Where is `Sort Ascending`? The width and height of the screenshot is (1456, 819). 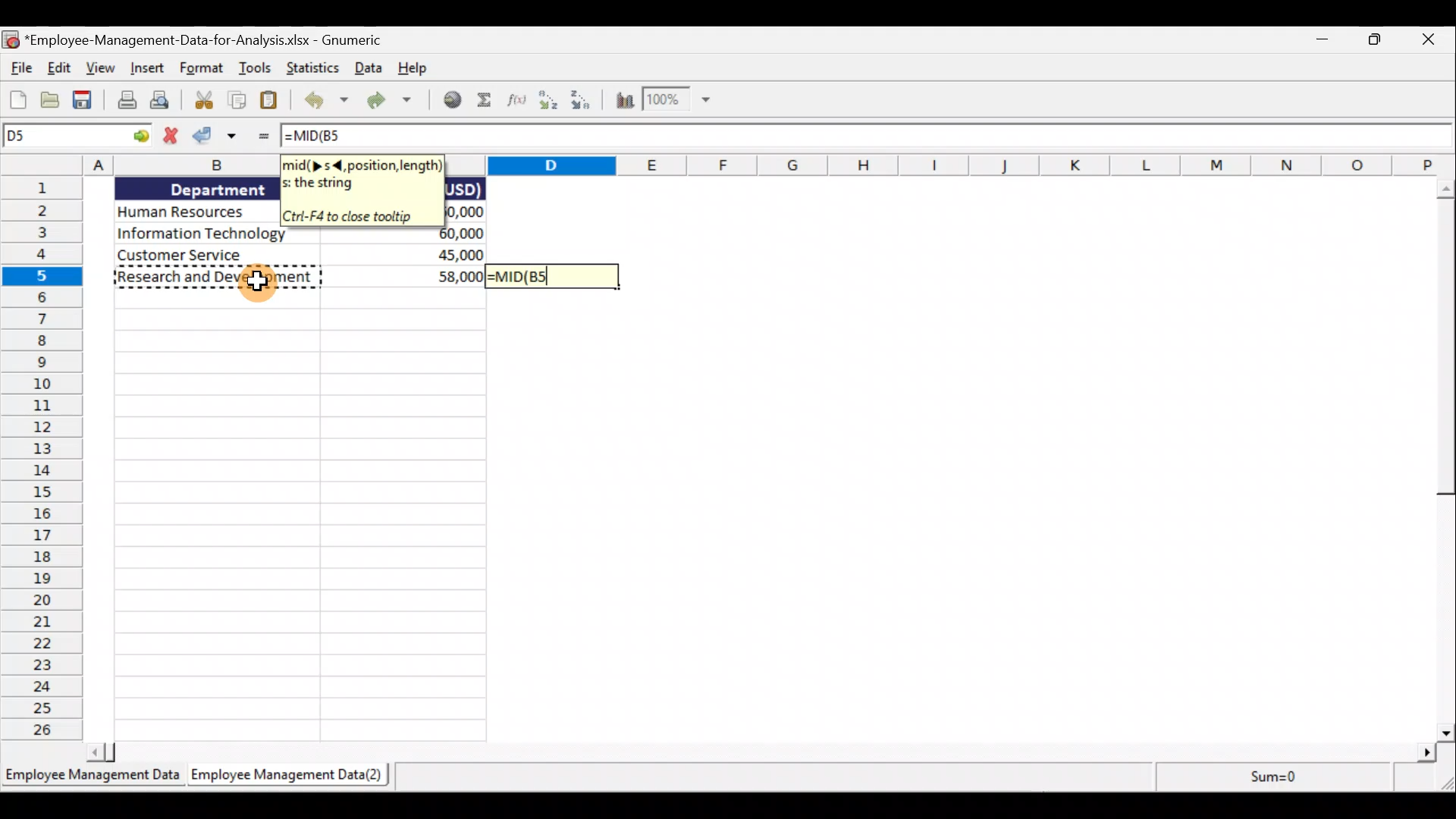
Sort Ascending is located at coordinates (549, 103).